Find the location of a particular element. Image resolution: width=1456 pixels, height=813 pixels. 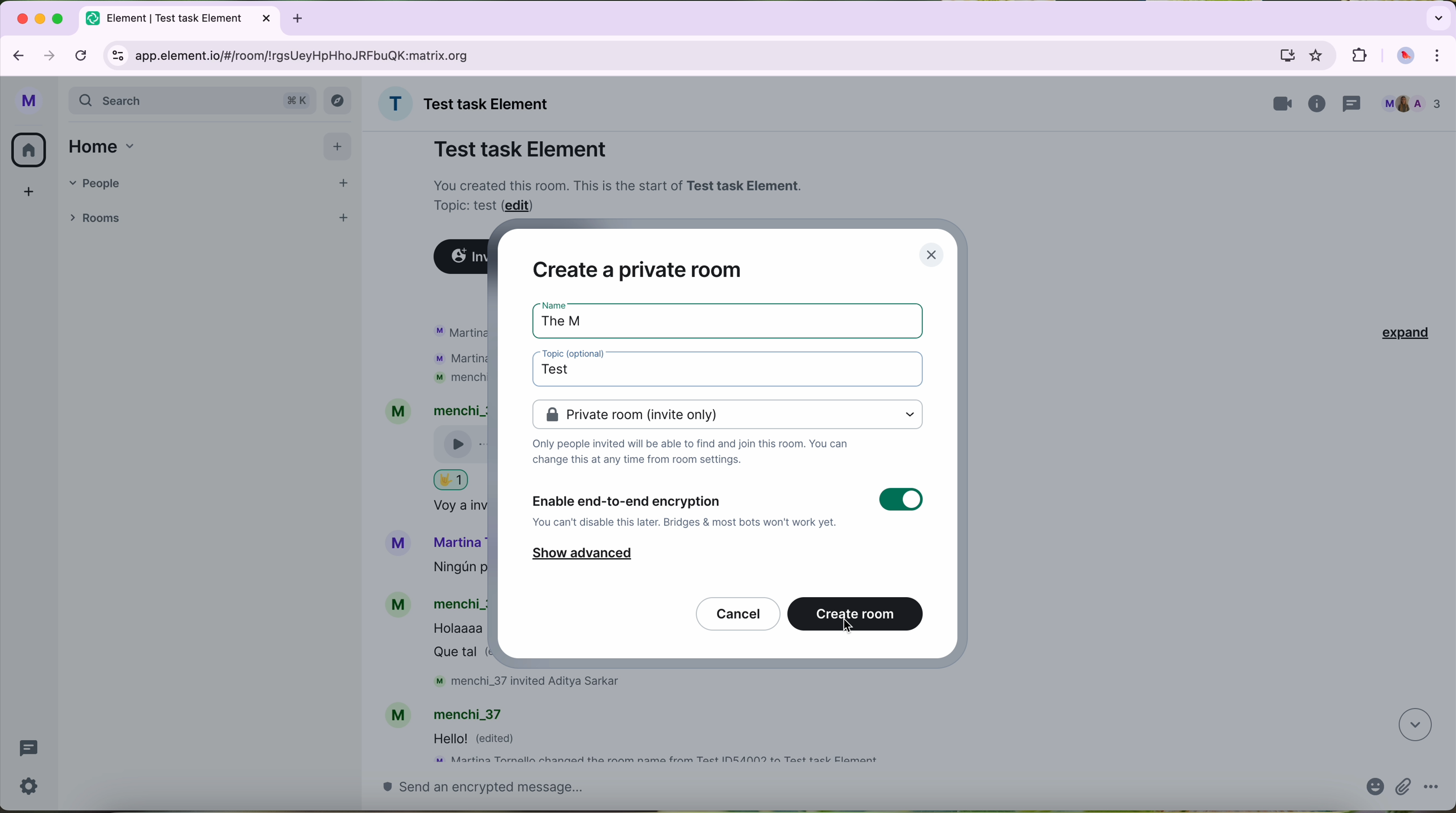

enable end-to-end encryption is located at coordinates (686, 510).